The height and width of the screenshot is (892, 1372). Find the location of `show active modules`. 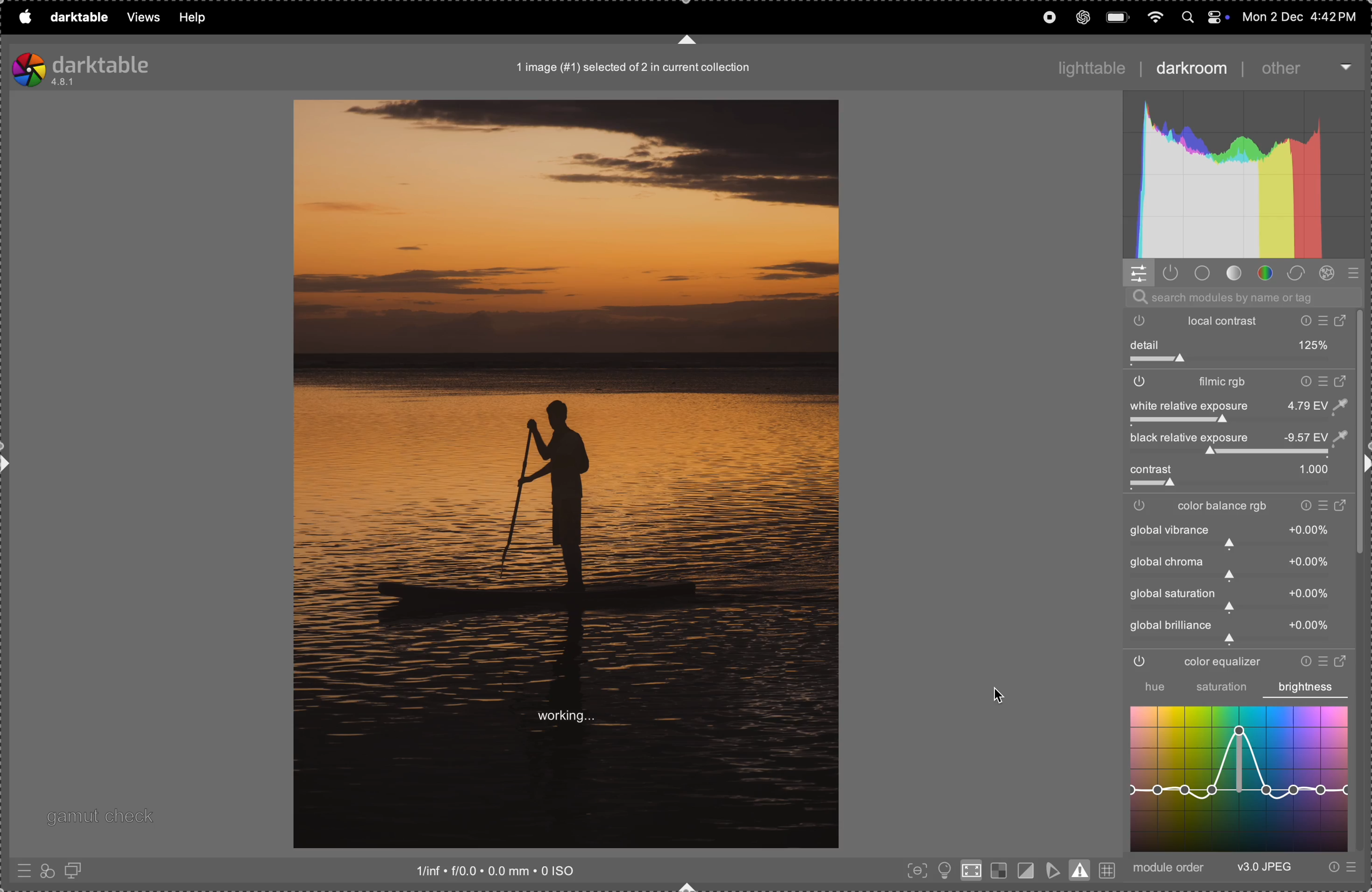

show active modules is located at coordinates (1173, 274).